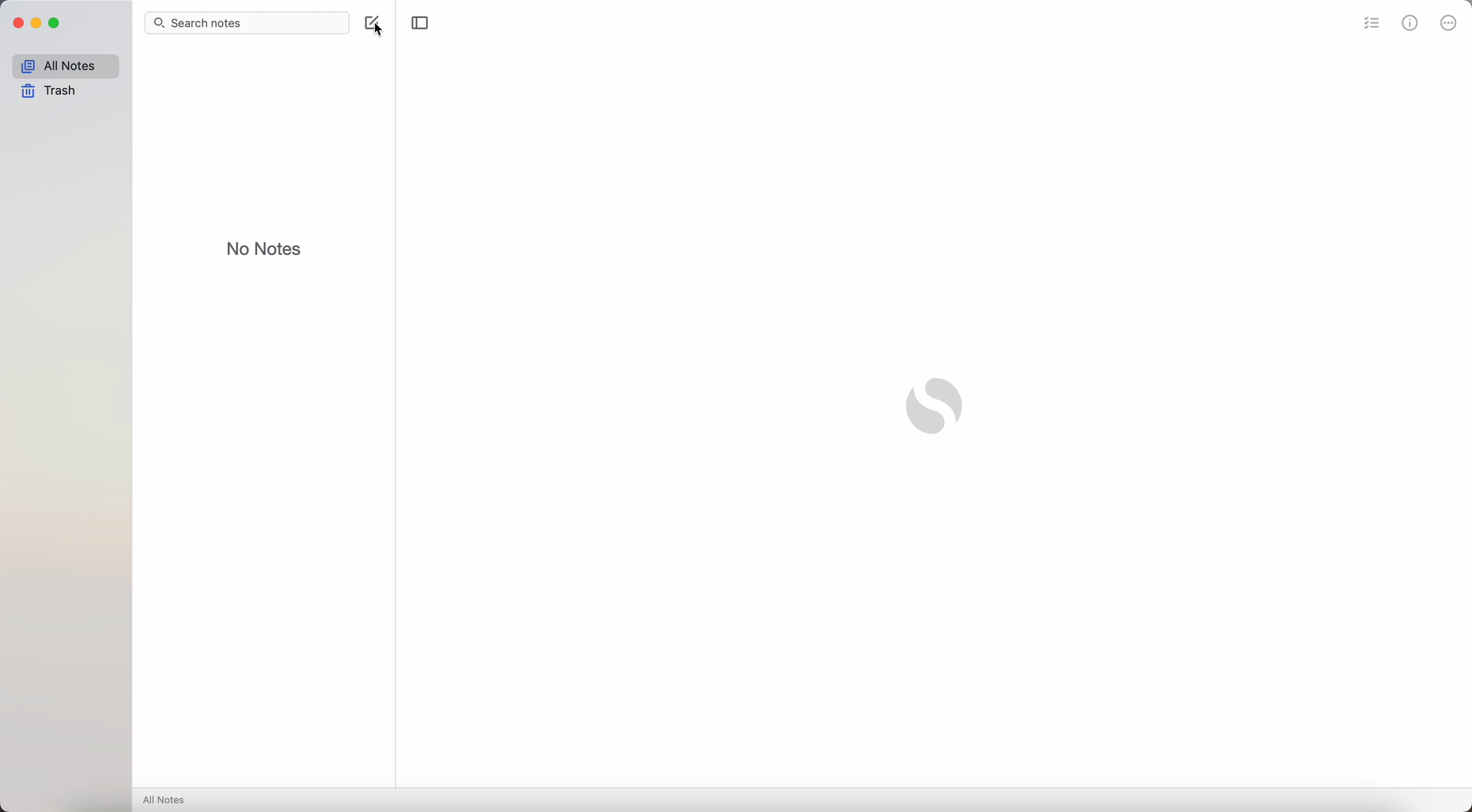 The image size is (1472, 812). Describe the element at coordinates (15, 23) in the screenshot. I see `close Simplenote` at that location.